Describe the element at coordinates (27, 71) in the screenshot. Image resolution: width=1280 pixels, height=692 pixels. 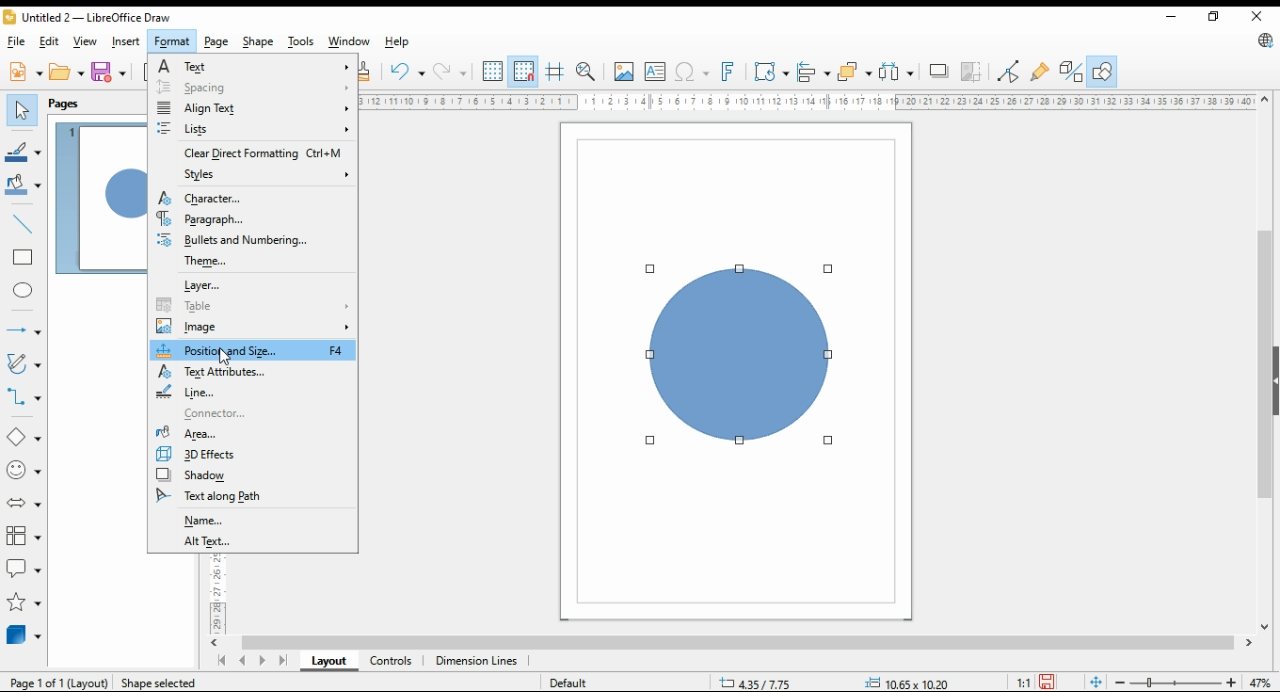
I see `new` at that location.